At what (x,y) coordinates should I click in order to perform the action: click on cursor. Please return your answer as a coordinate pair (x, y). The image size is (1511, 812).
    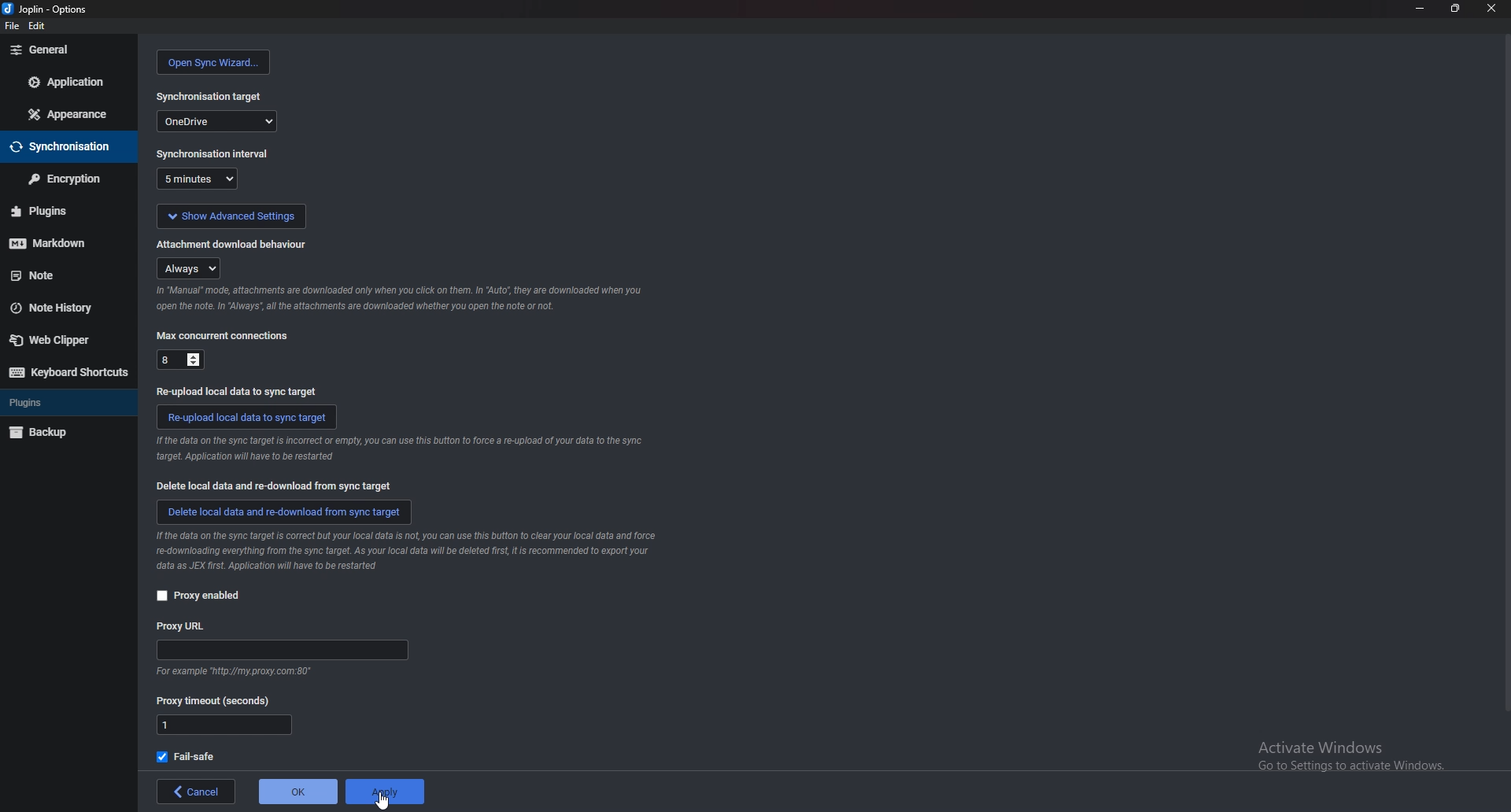
    Looking at the image, I should click on (381, 799).